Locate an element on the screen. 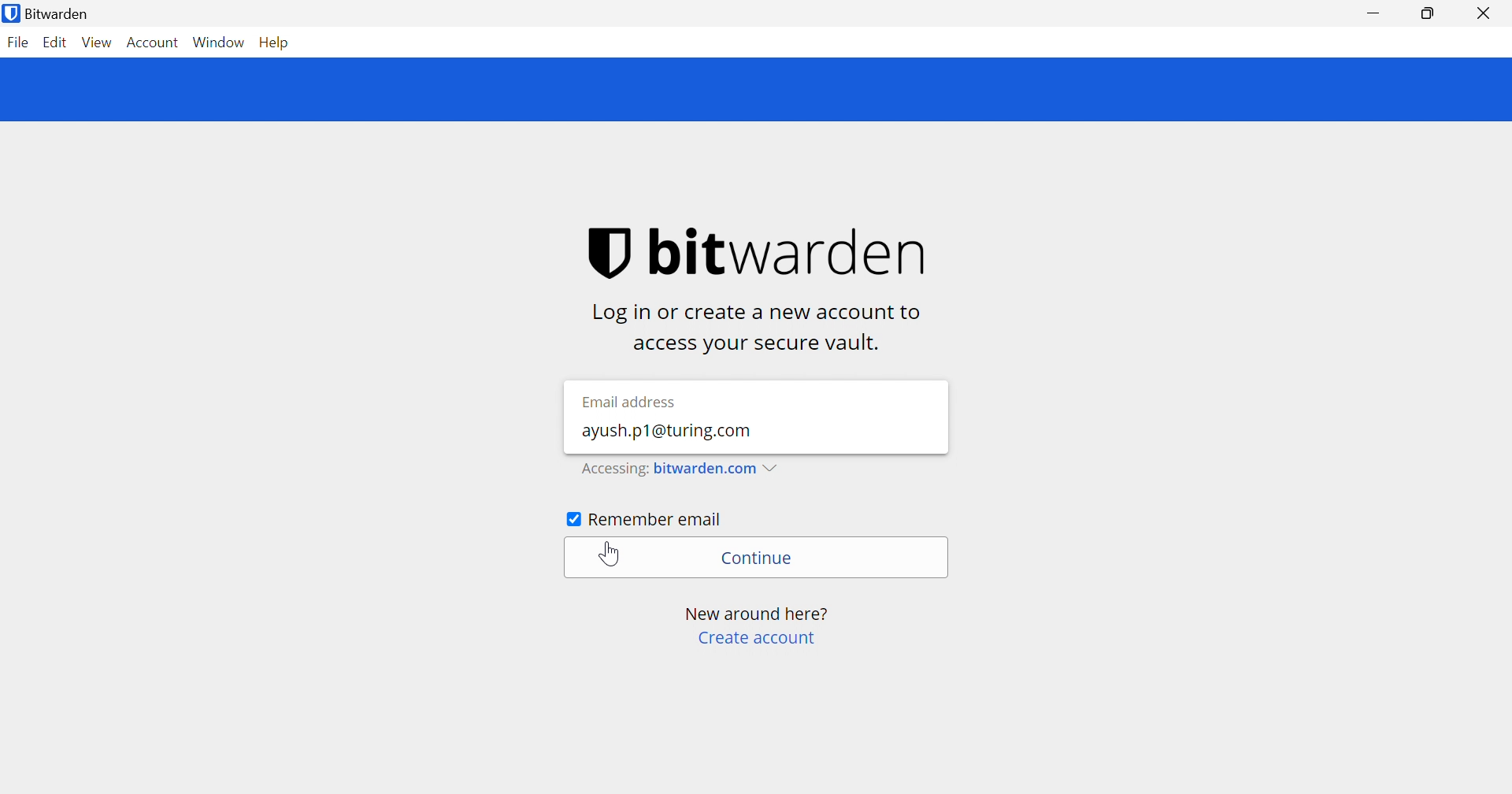 The image size is (1512, 794). Accessing bitwarden.com is located at coordinates (673, 469).